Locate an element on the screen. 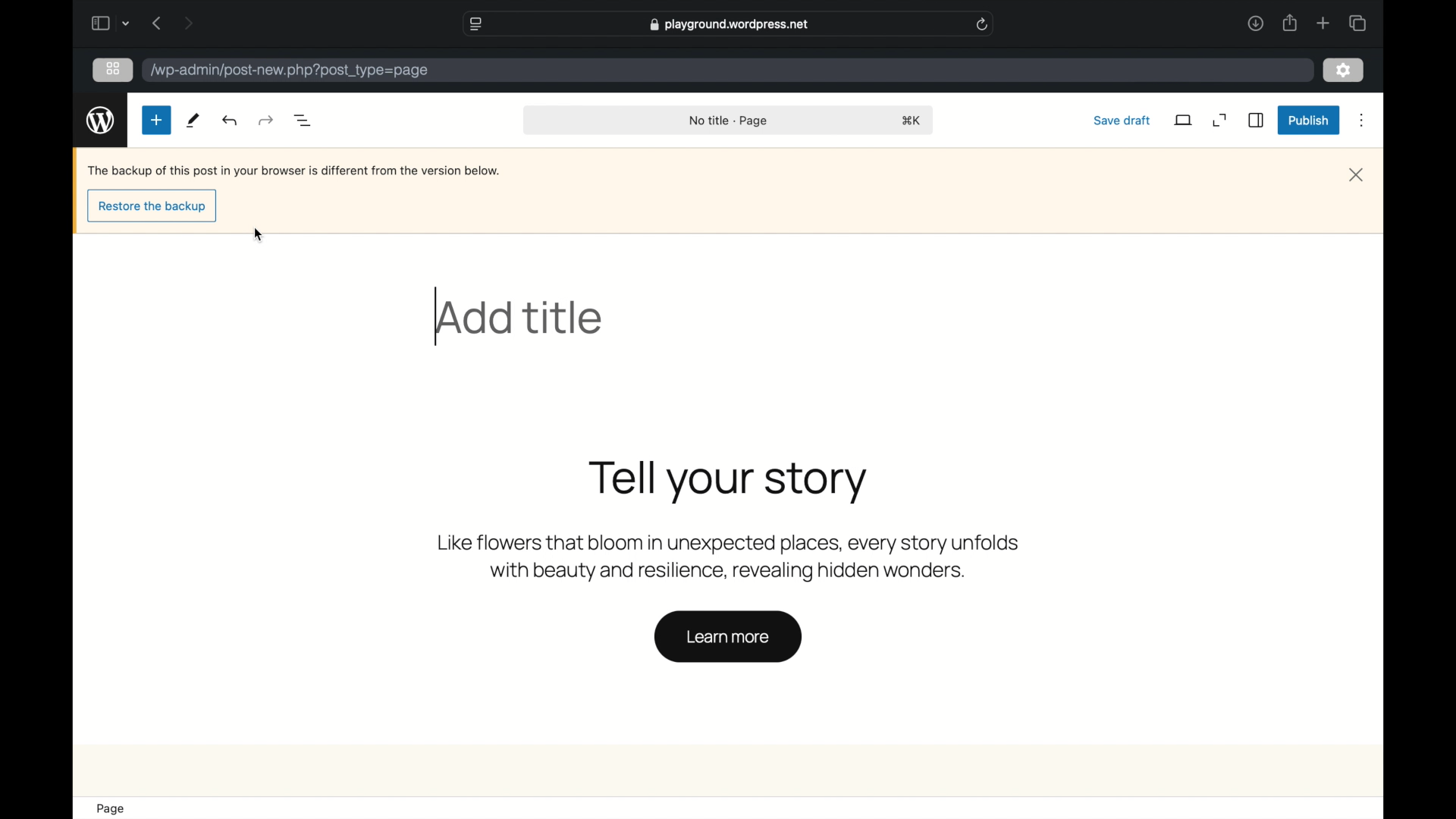 The width and height of the screenshot is (1456, 819). wordpress address is located at coordinates (290, 71).